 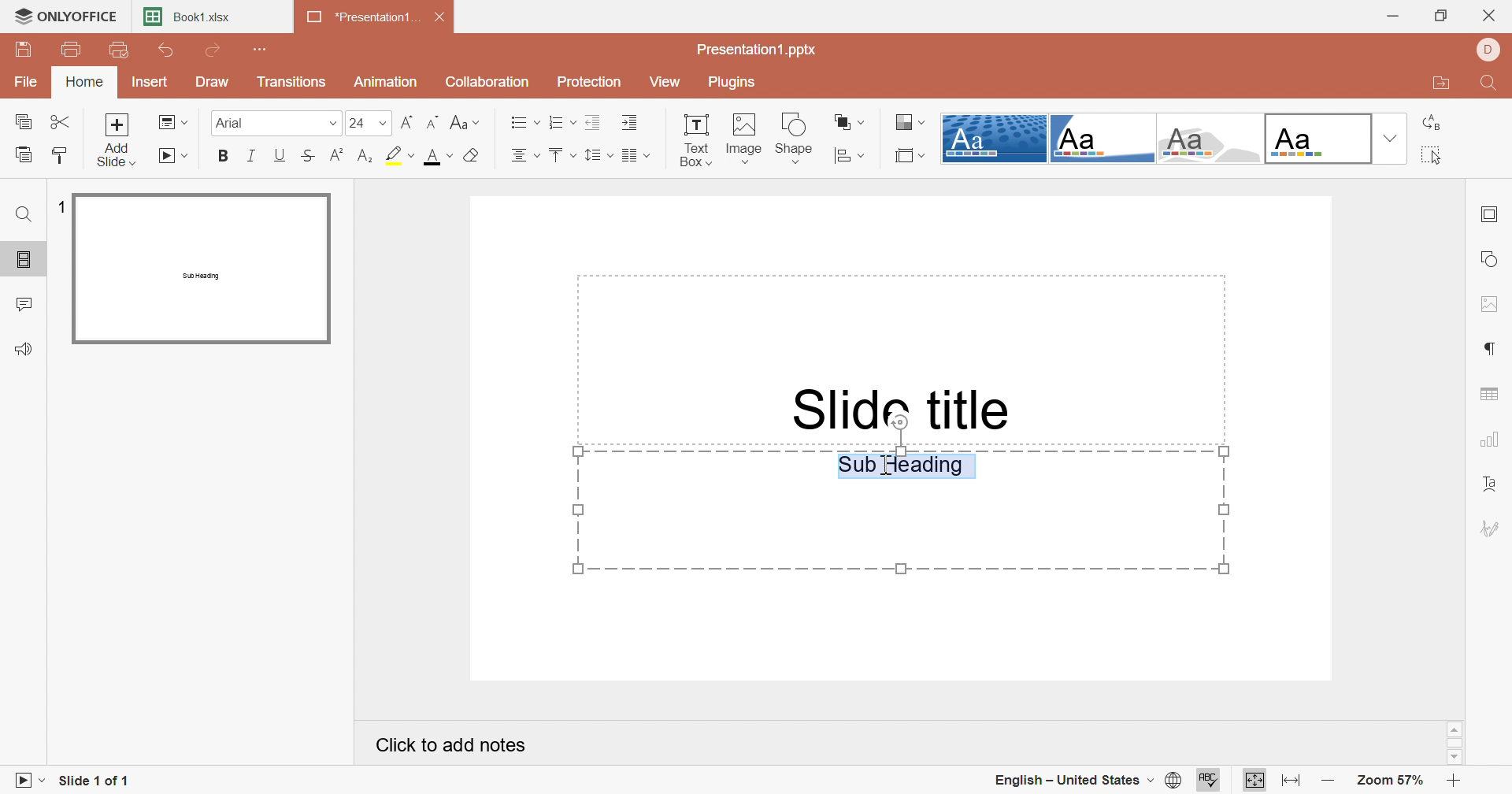 What do you see at coordinates (896, 511) in the screenshot?
I see `Sub Heading` at bounding box center [896, 511].